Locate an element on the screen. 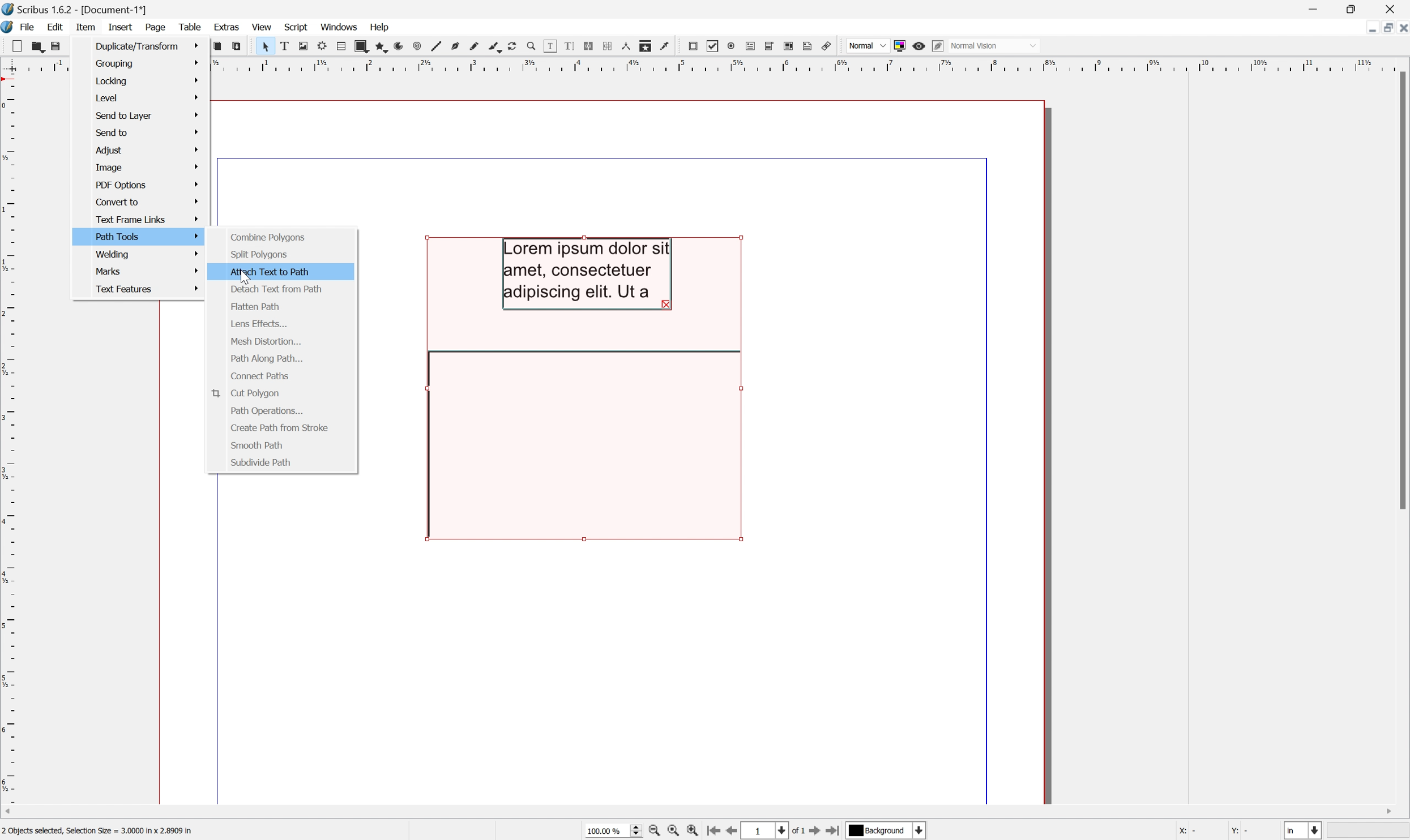 The height and width of the screenshot is (840, 1410). Scroll bar is located at coordinates (1401, 293).